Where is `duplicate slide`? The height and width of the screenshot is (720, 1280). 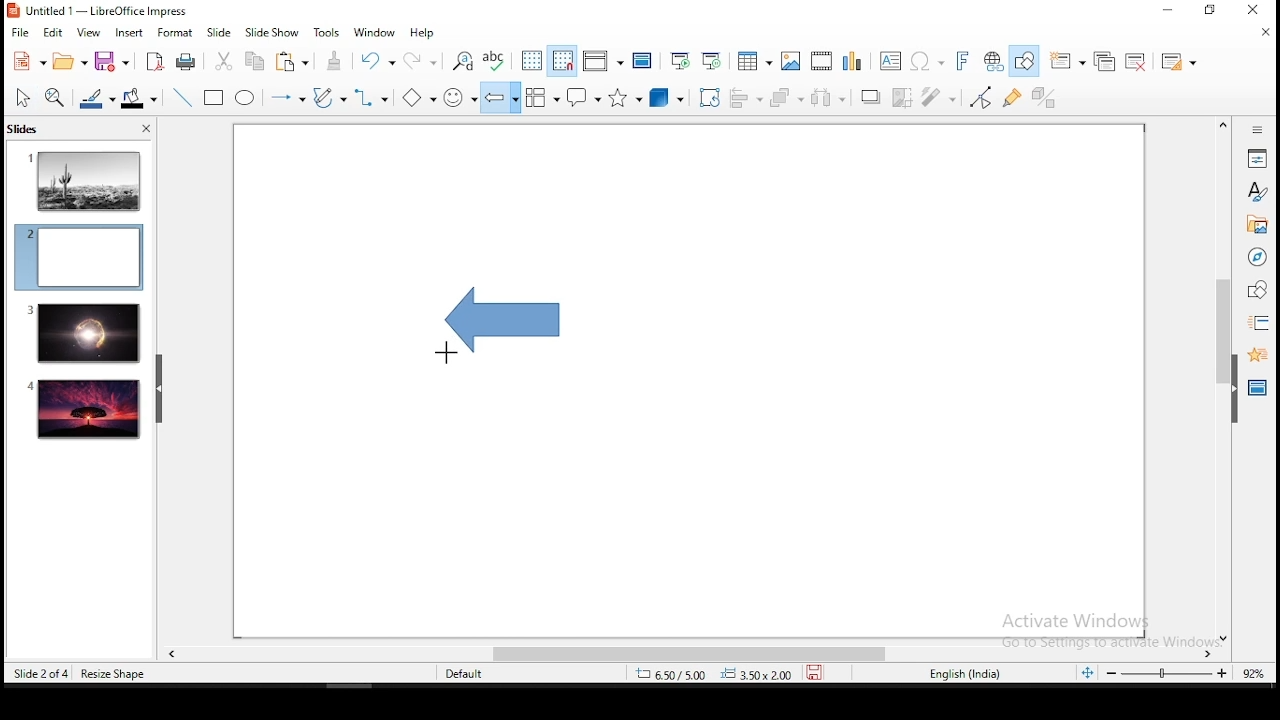 duplicate slide is located at coordinates (1107, 62).